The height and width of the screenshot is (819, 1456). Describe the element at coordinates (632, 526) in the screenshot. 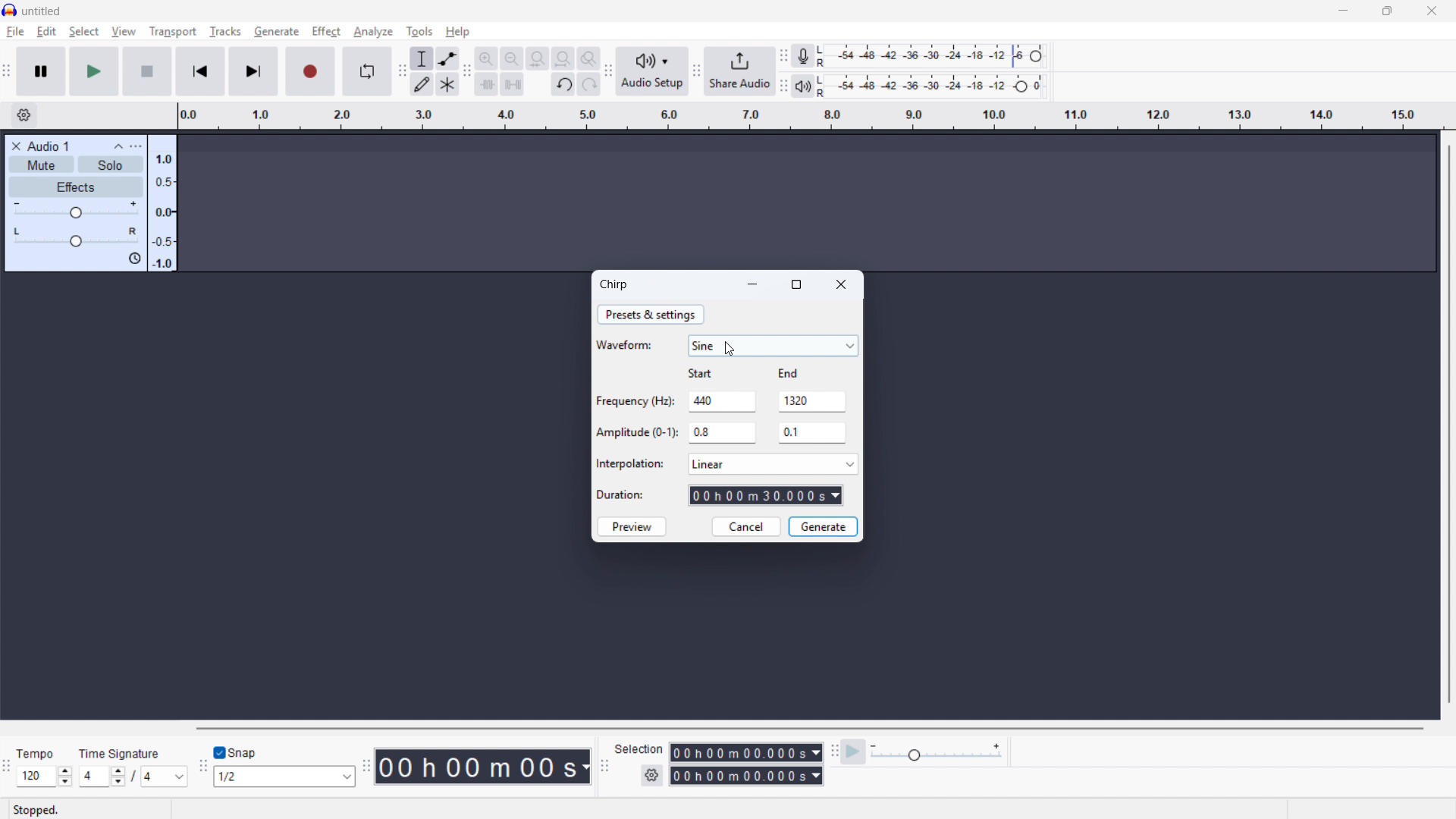

I see `Preview ` at that location.